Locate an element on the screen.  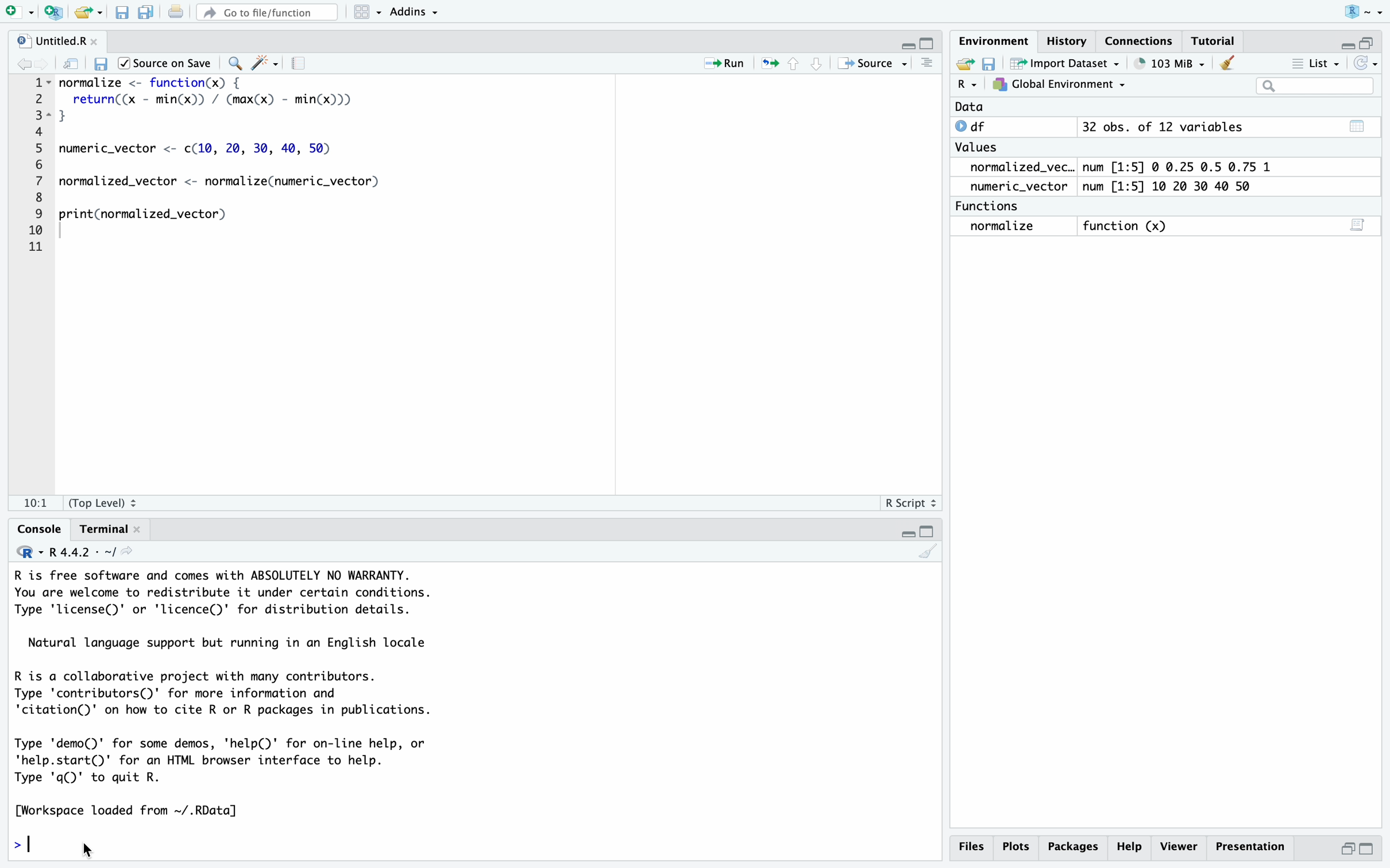
Maximize is located at coordinates (1370, 38).